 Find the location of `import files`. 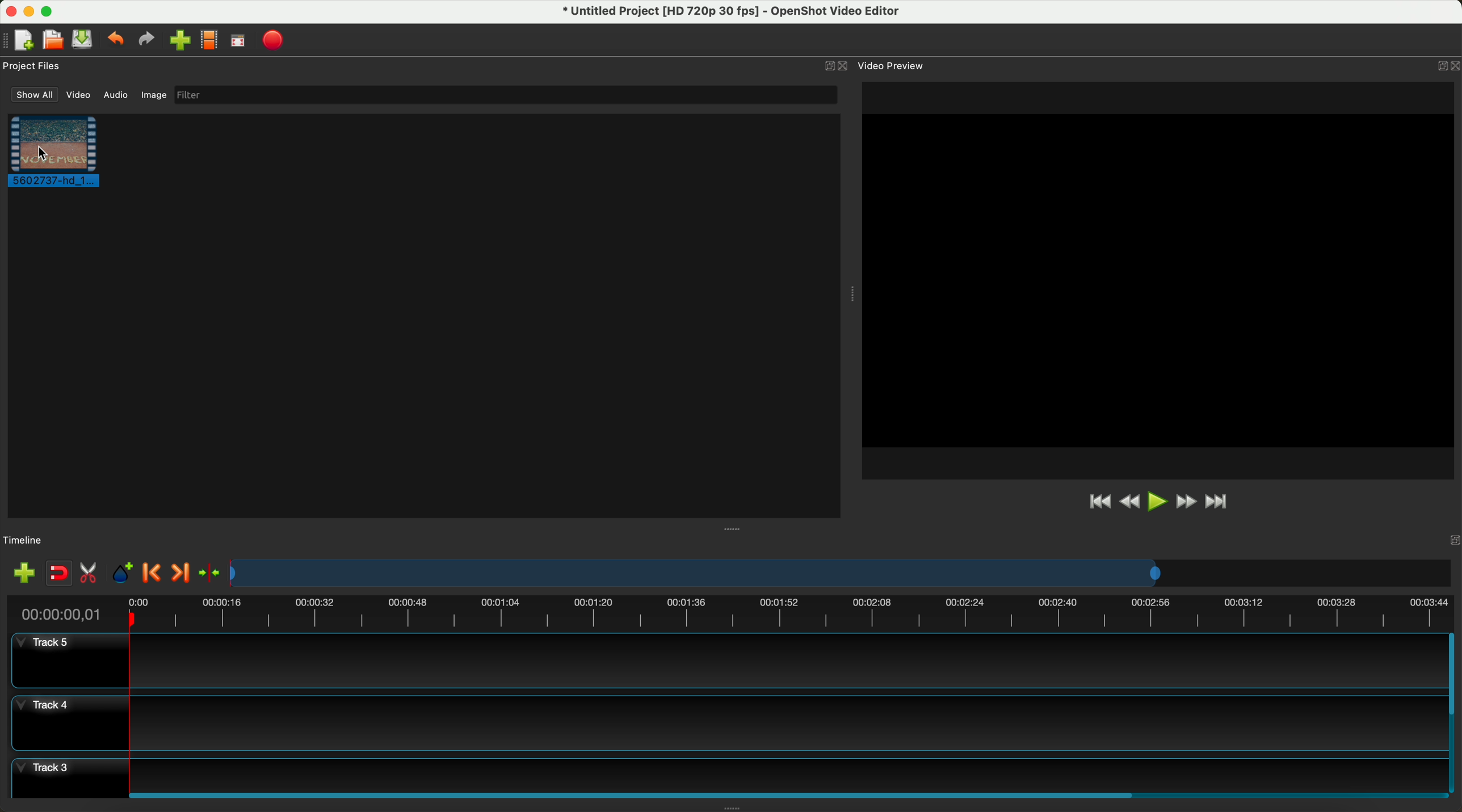

import files is located at coordinates (179, 40).